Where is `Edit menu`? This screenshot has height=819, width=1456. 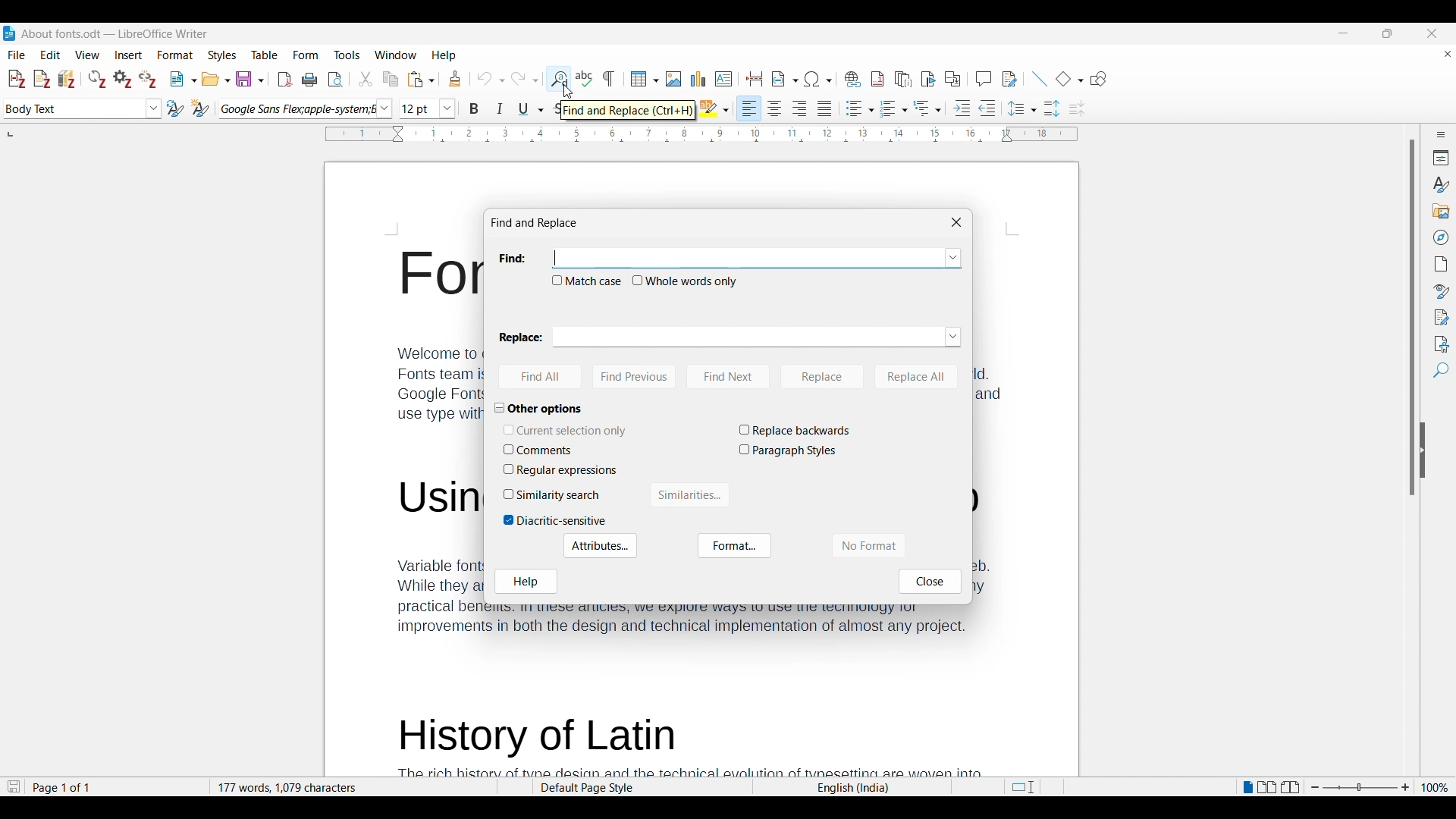
Edit menu is located at coordinates (51, 55).